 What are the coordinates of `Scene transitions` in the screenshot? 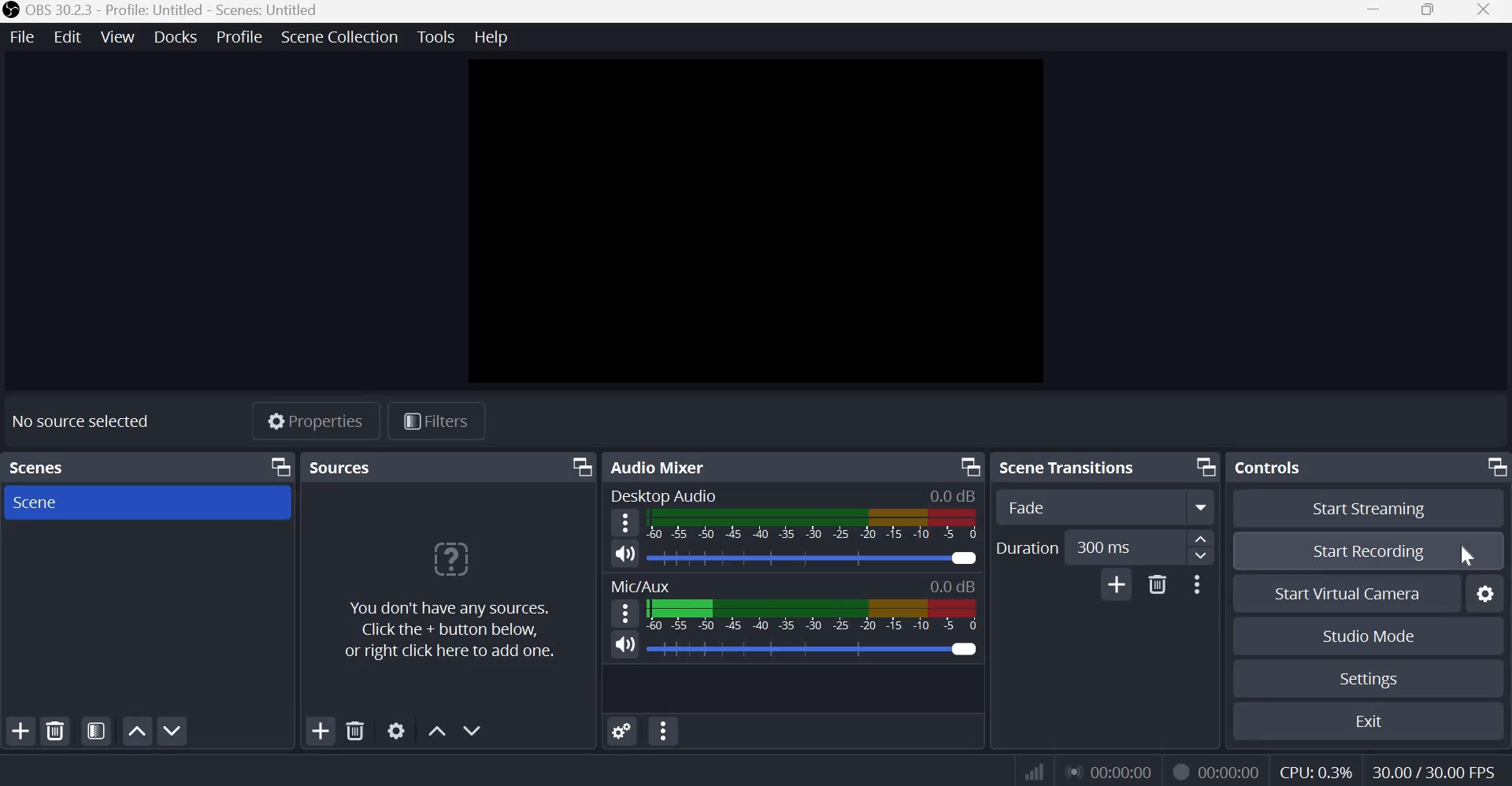 It's located at (1073, 468).